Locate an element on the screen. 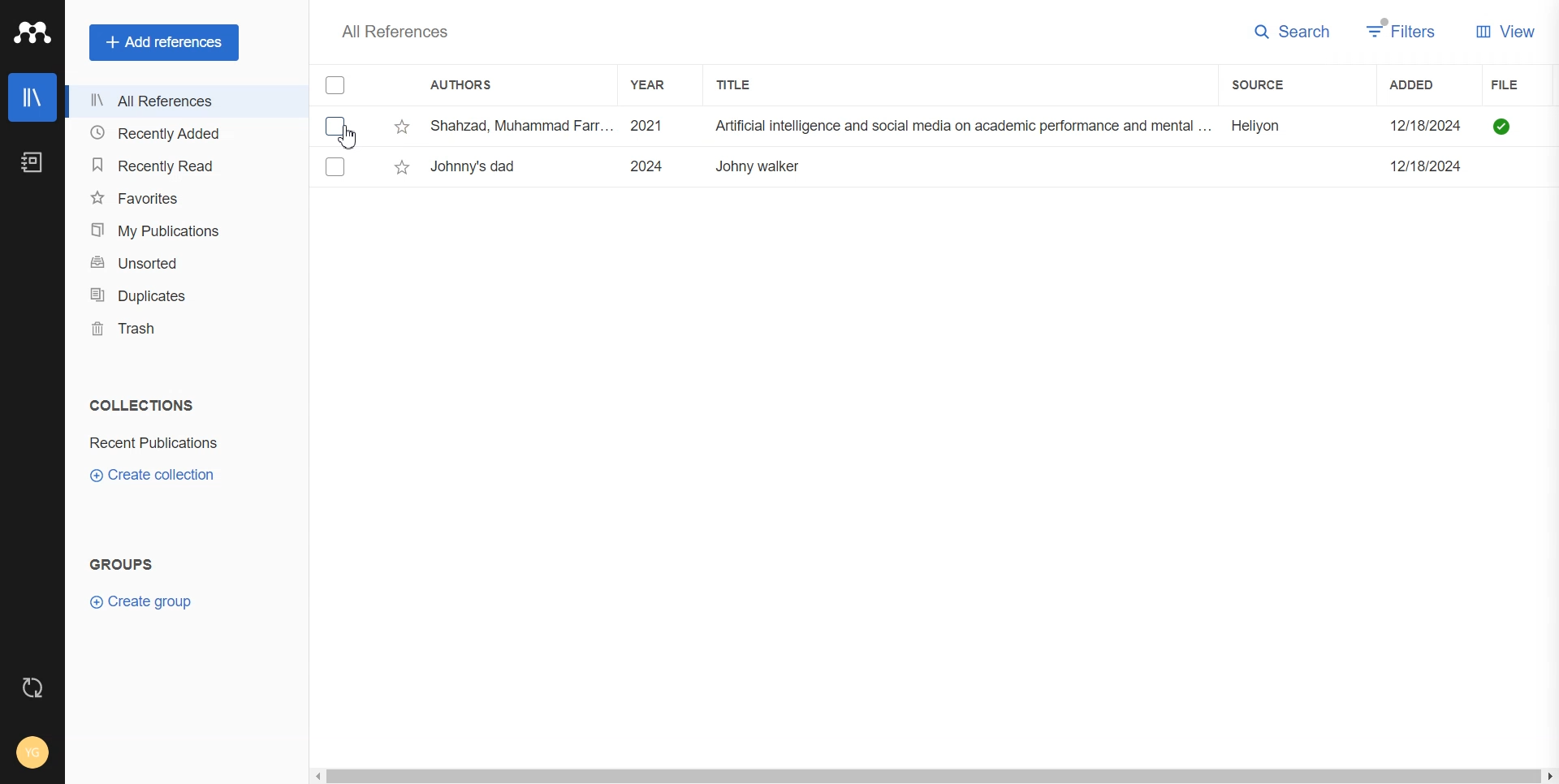 This screenshot has height=784, width=1559. Checklist is located at coordinates (337, 85).